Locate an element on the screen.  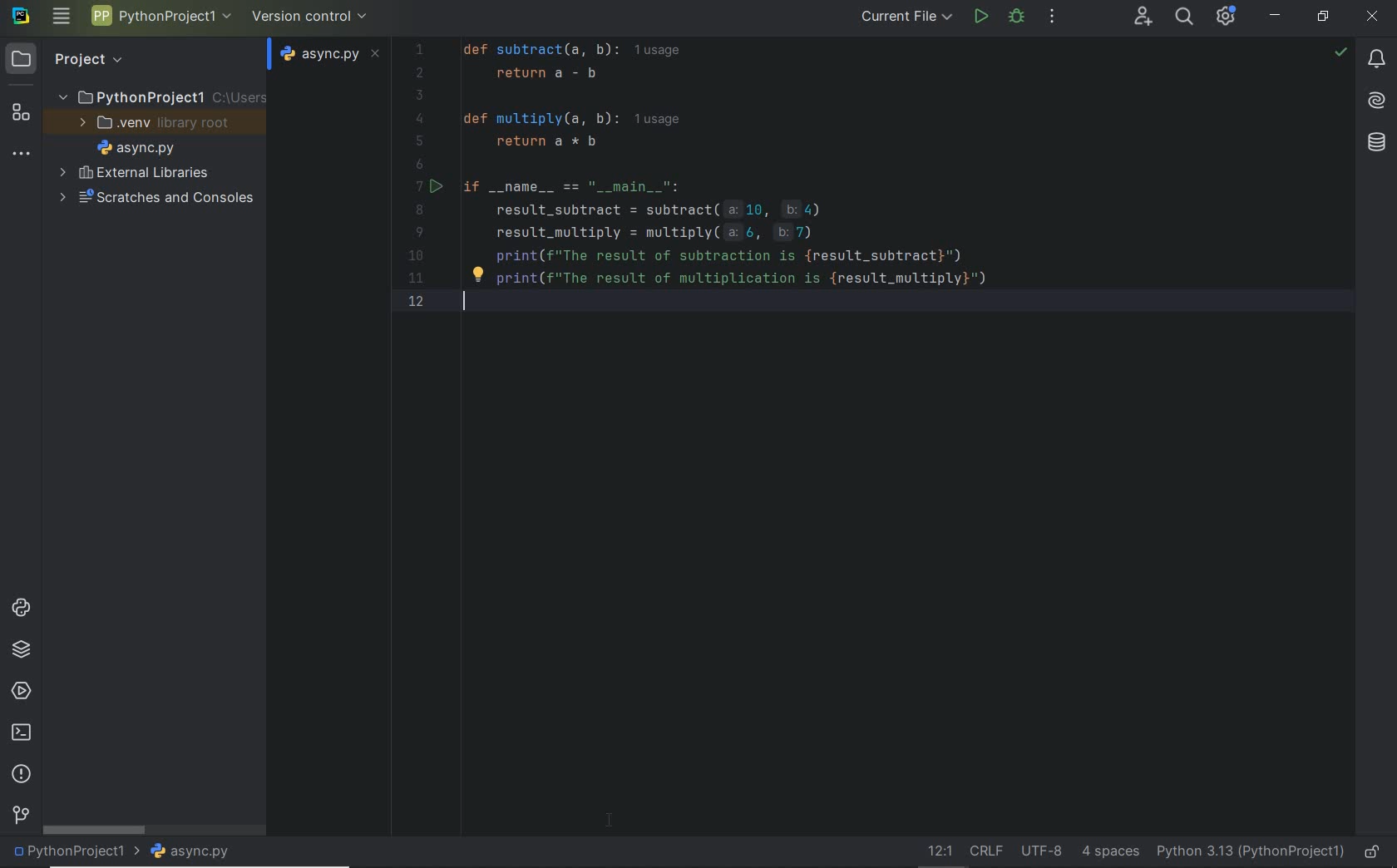
external libraries is located at coordinates (136, 172).